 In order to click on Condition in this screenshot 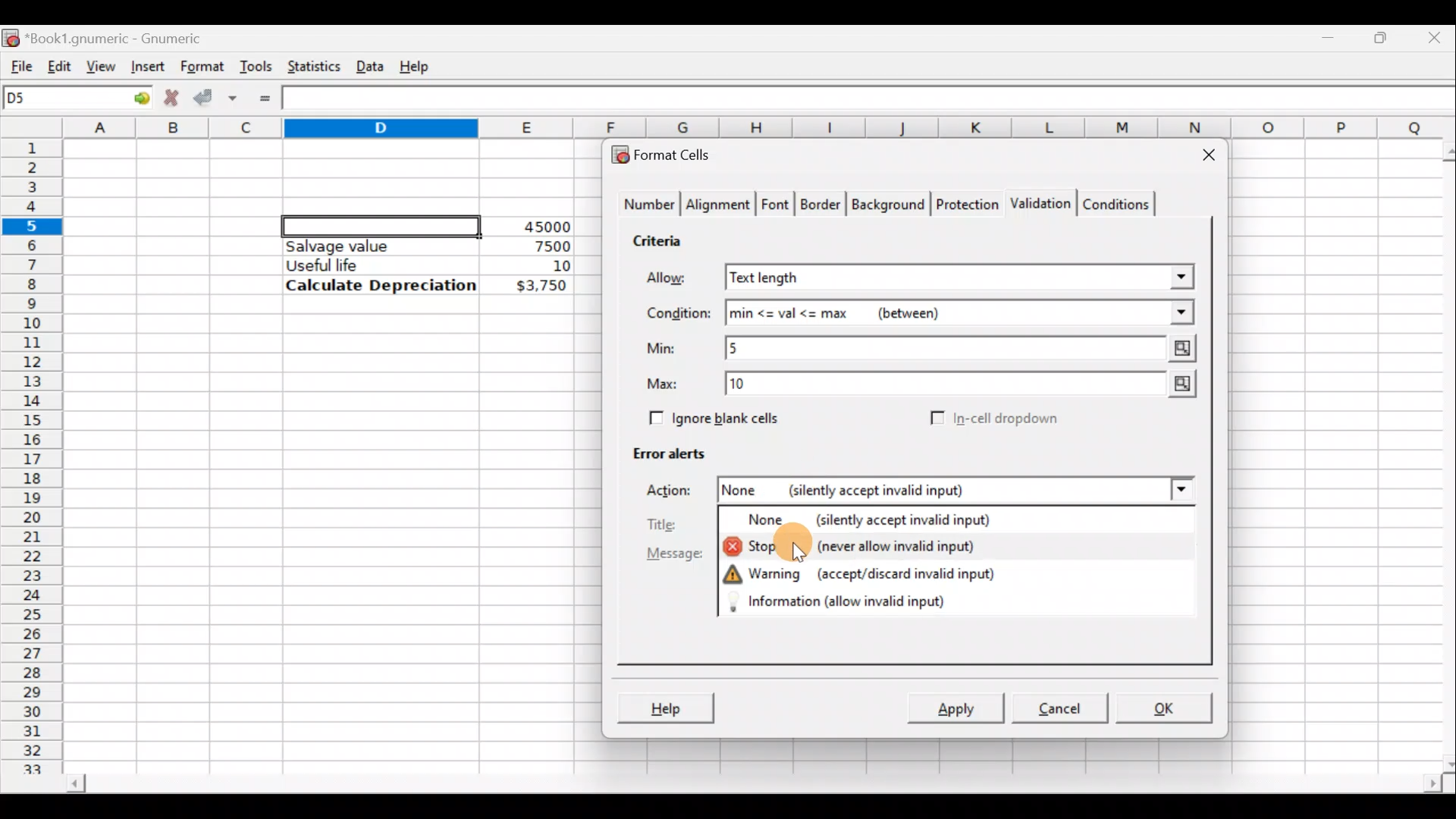, I will do `click(678, 314)`.